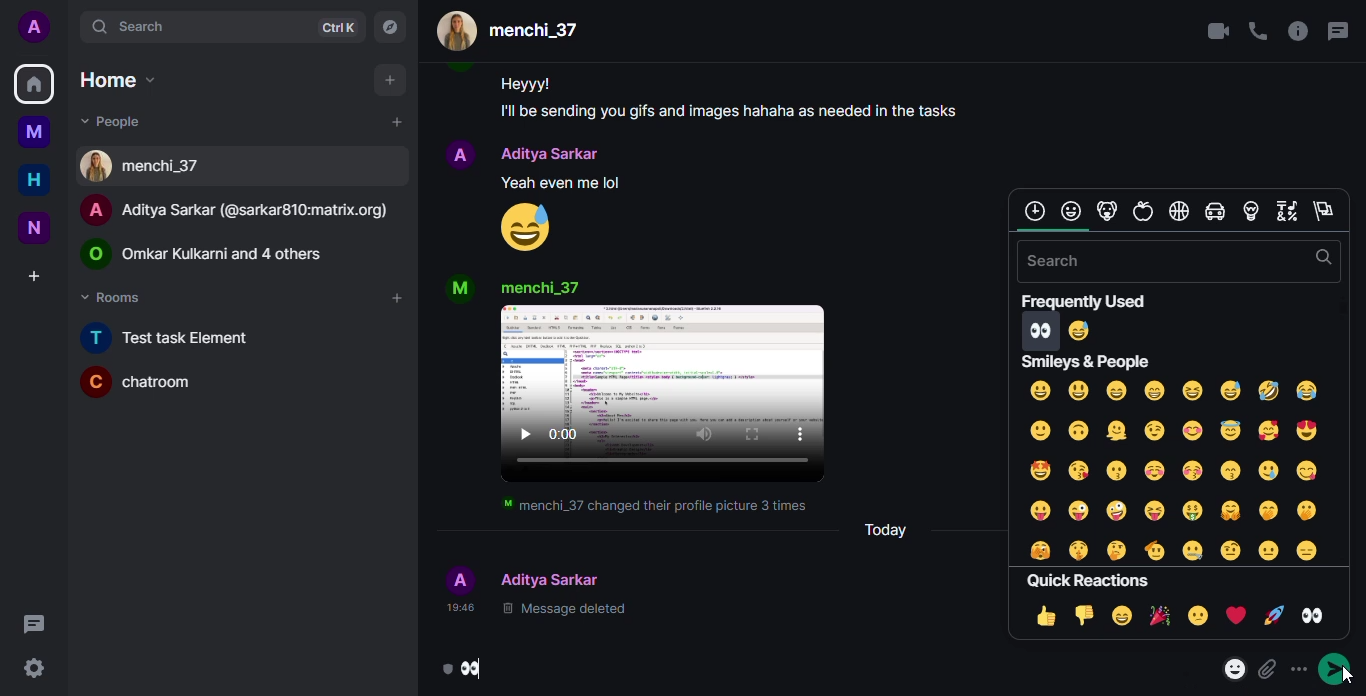  What do you see at coordinates (1093, 580) in the screenshot?
I see `eyes` at bounding box center [1093, 580].